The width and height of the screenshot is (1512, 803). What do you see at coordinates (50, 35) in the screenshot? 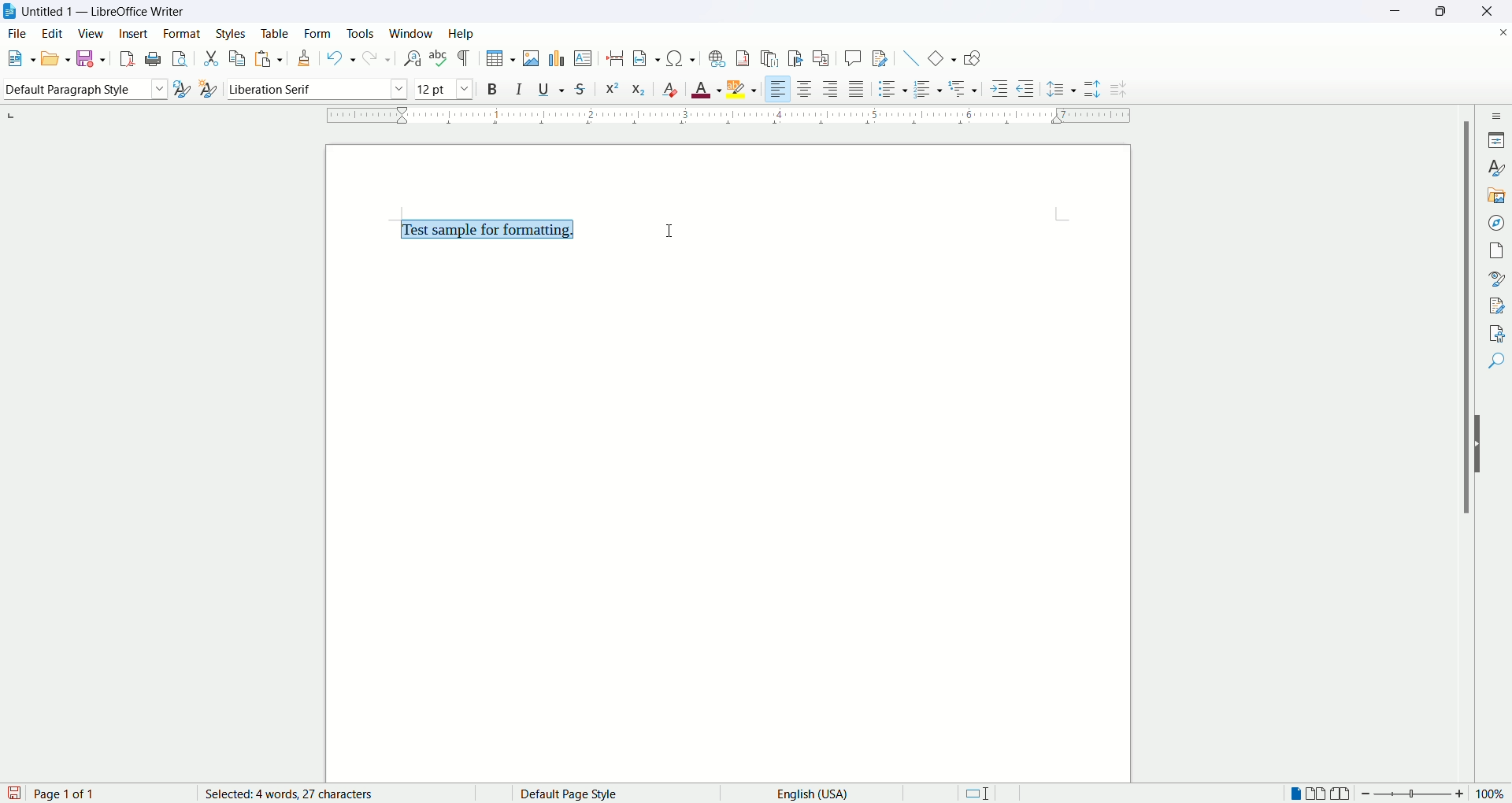
I see `edit` at bounding box center [50, 35].